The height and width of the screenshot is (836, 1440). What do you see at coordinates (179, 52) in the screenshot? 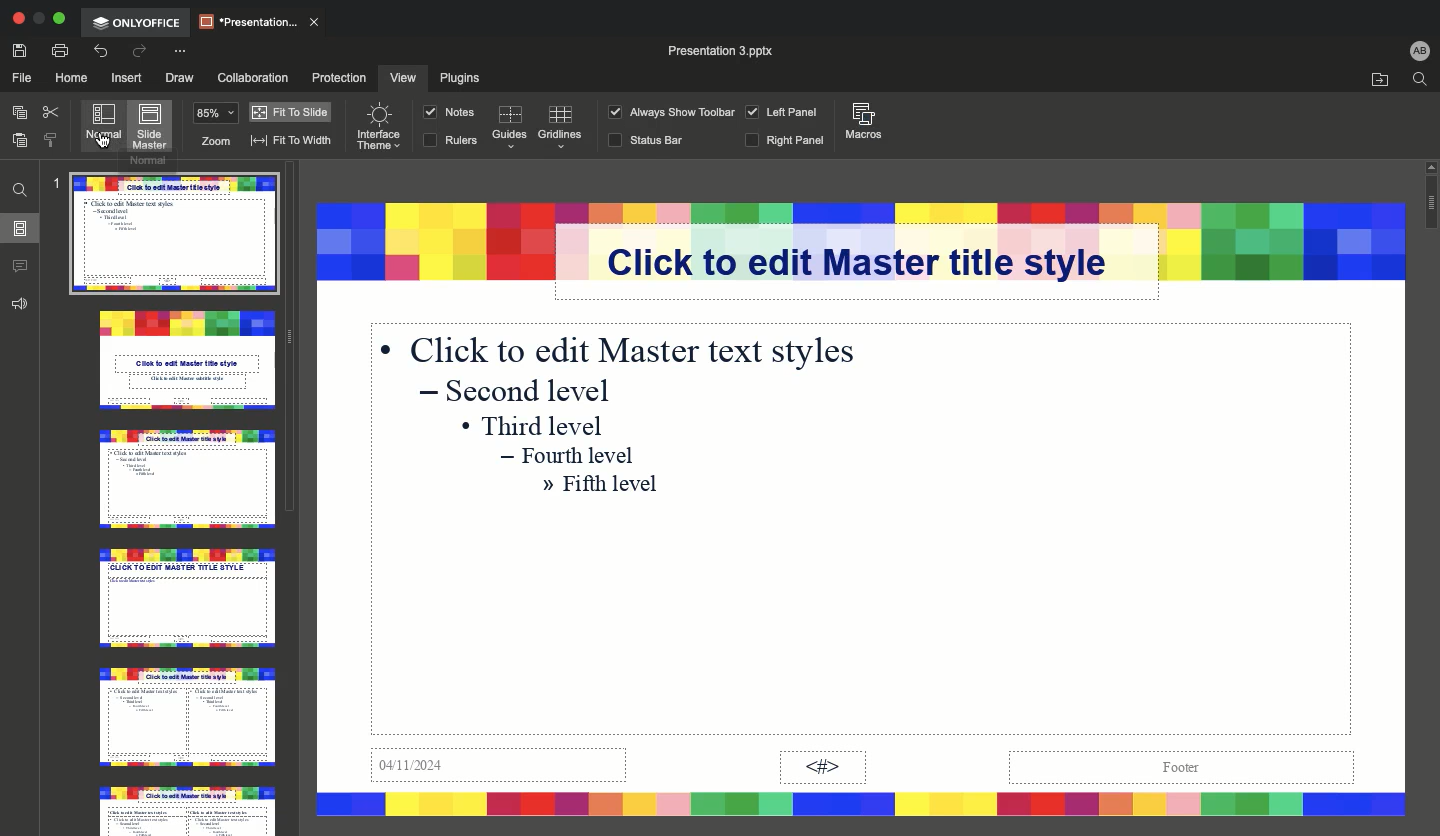
I see `Customize quick access toolbar` at bounding box center [179, 52].